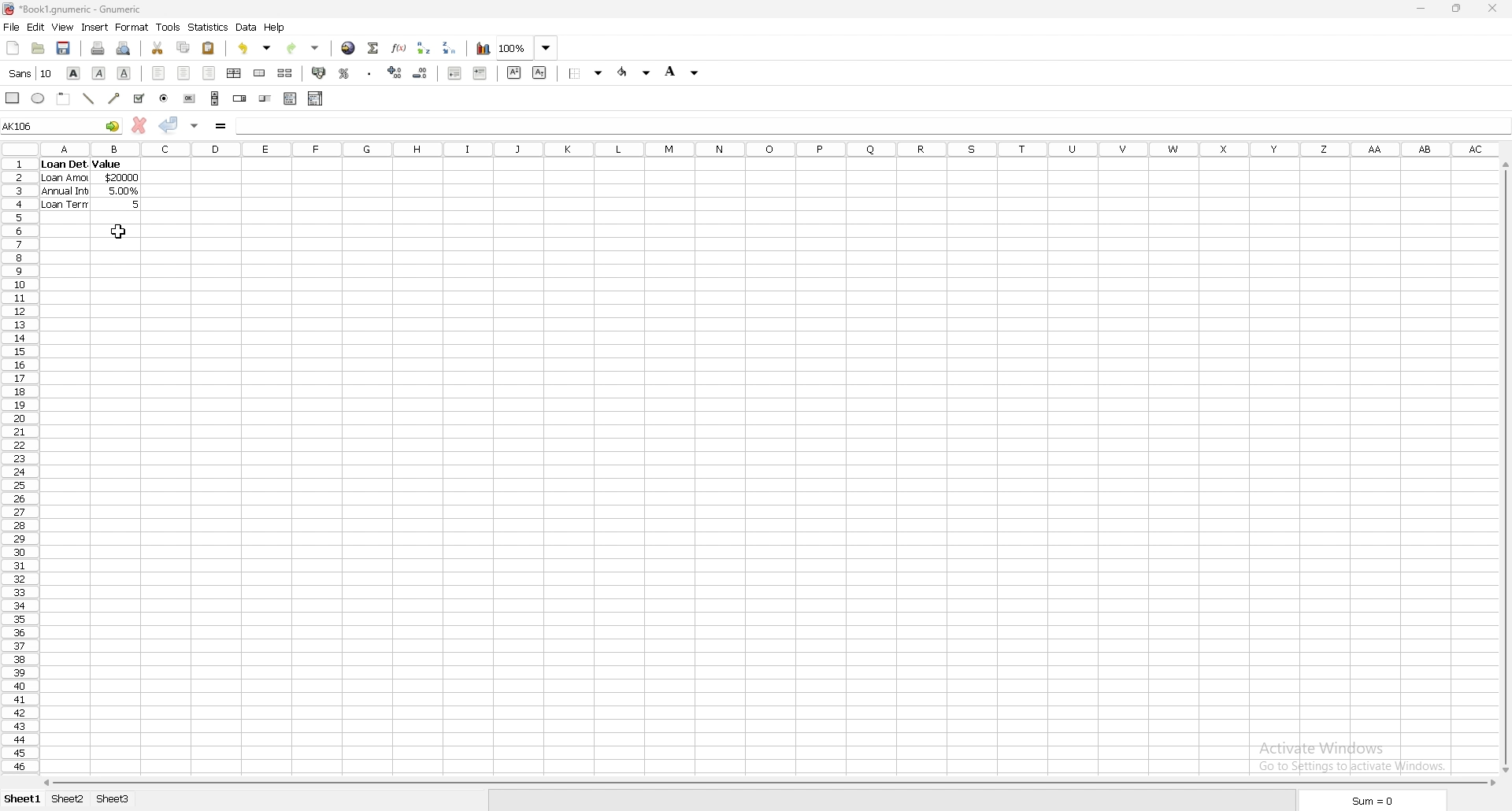  What do you see at coordinates (768, 783) in the screenshot?
I see `scroll bar` at bounding box center [768, 783].